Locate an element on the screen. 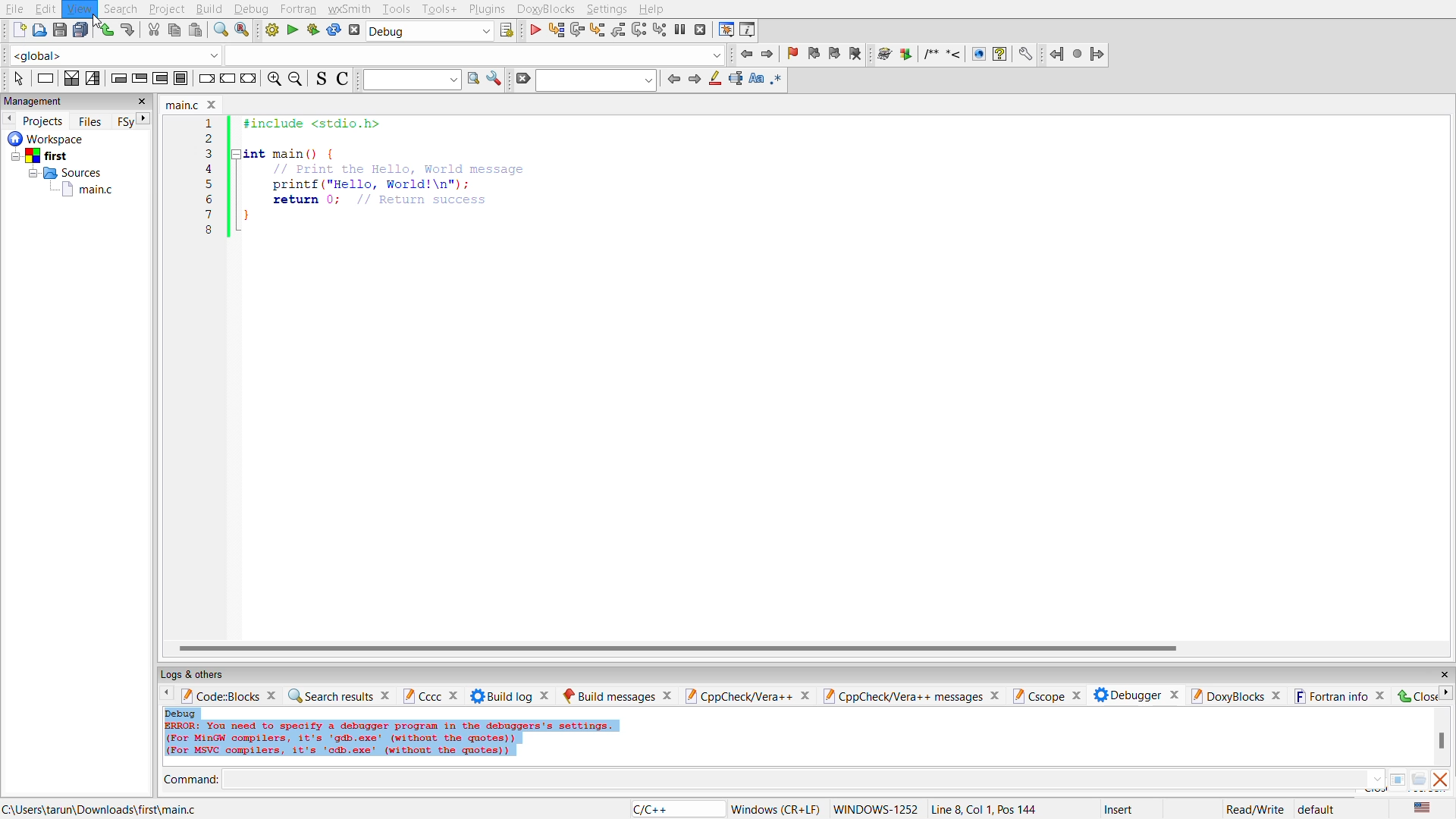  fortran is located at coordinates (300, 10).